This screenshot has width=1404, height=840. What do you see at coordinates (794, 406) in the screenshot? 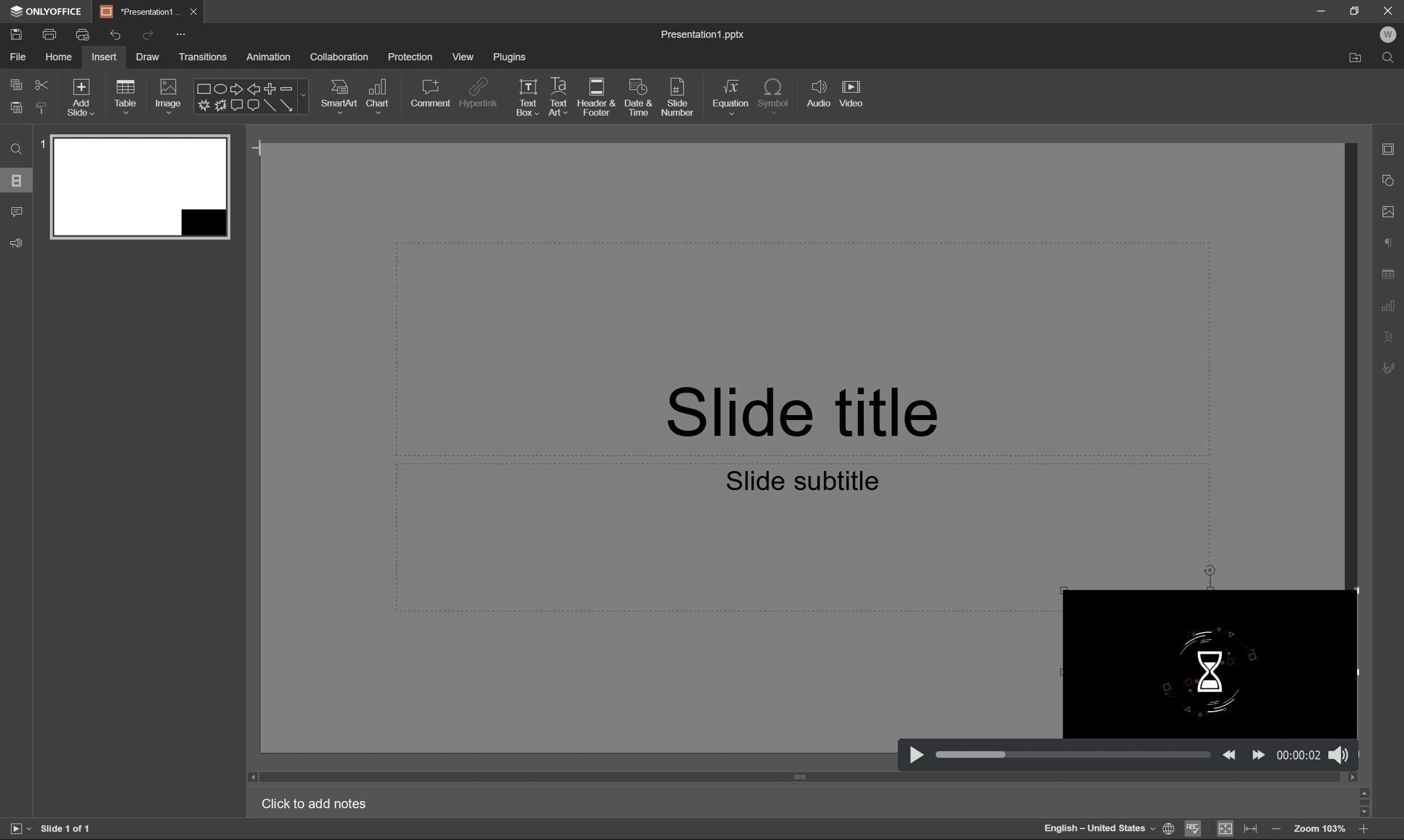
I see `slide title` at bounding box center [794, 406].